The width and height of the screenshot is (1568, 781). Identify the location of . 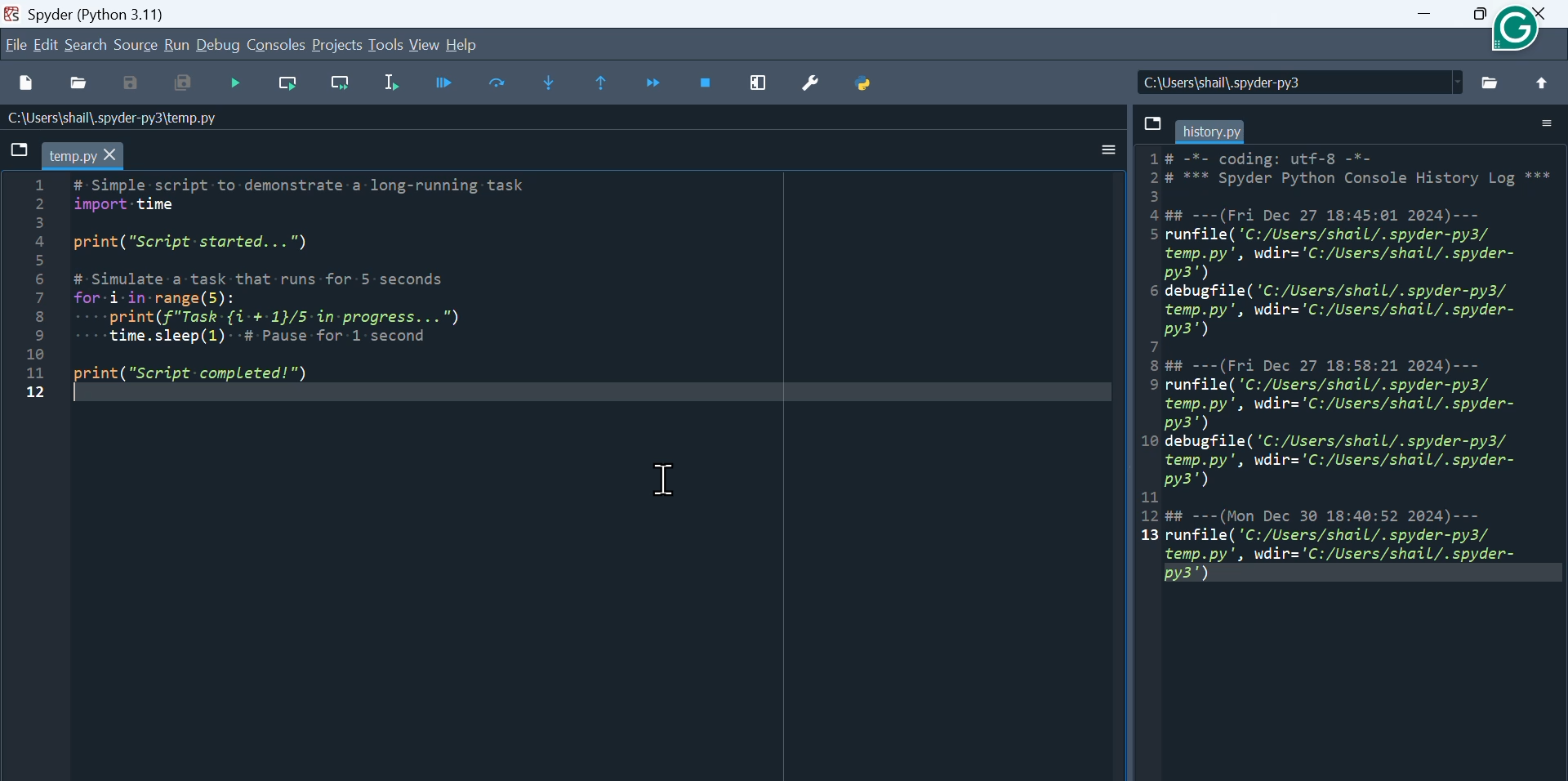
(15, 45).